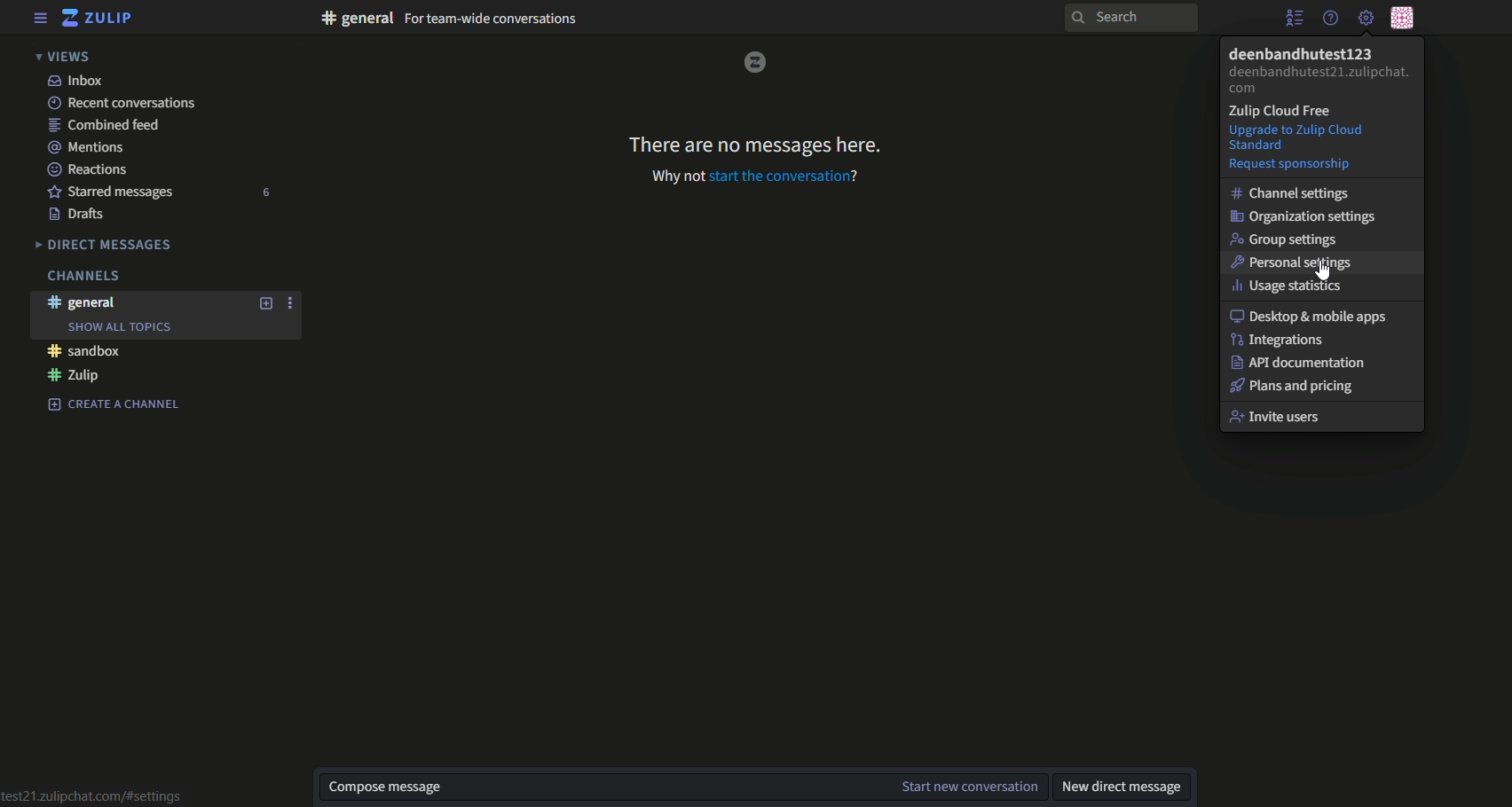 This screenshot has height=807, width=1512. What do you see at coordinates (119, 327) in the screenshot?
I see `Show all topics` at bounding box center [119, 327].